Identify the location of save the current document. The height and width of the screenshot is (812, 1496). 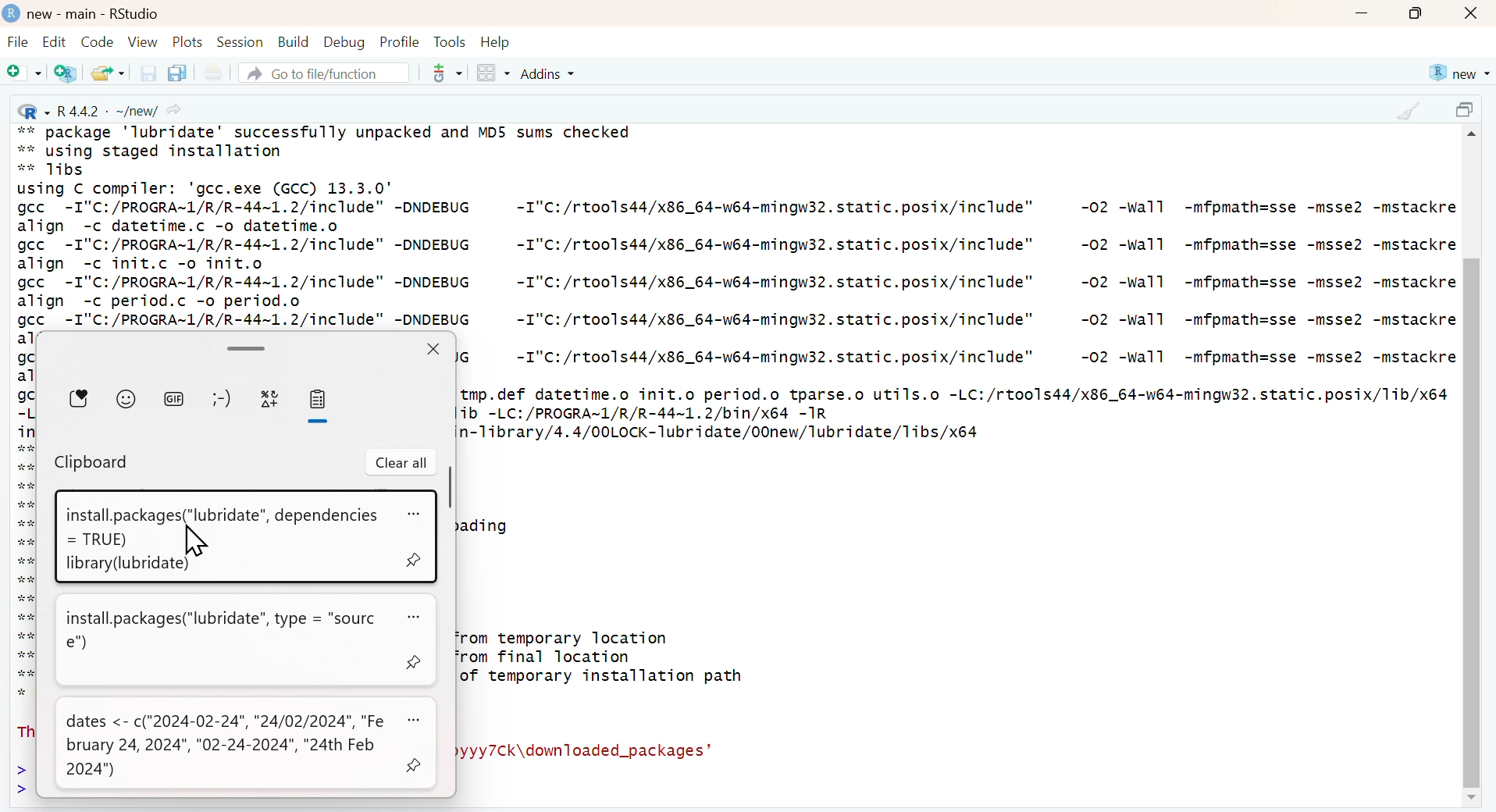
(146, 73).